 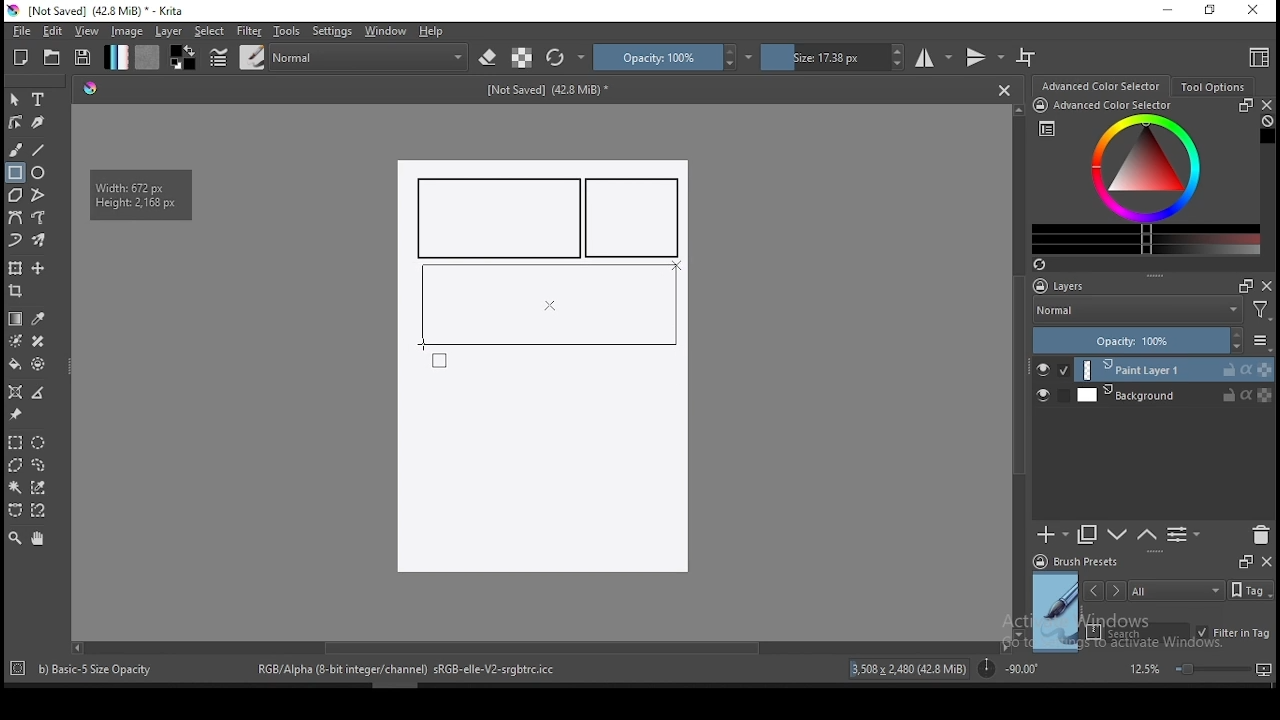 What do you see at coordinates (36, 539) in the screenshot?
I see `pan tool` at bounding box center [36, 539].